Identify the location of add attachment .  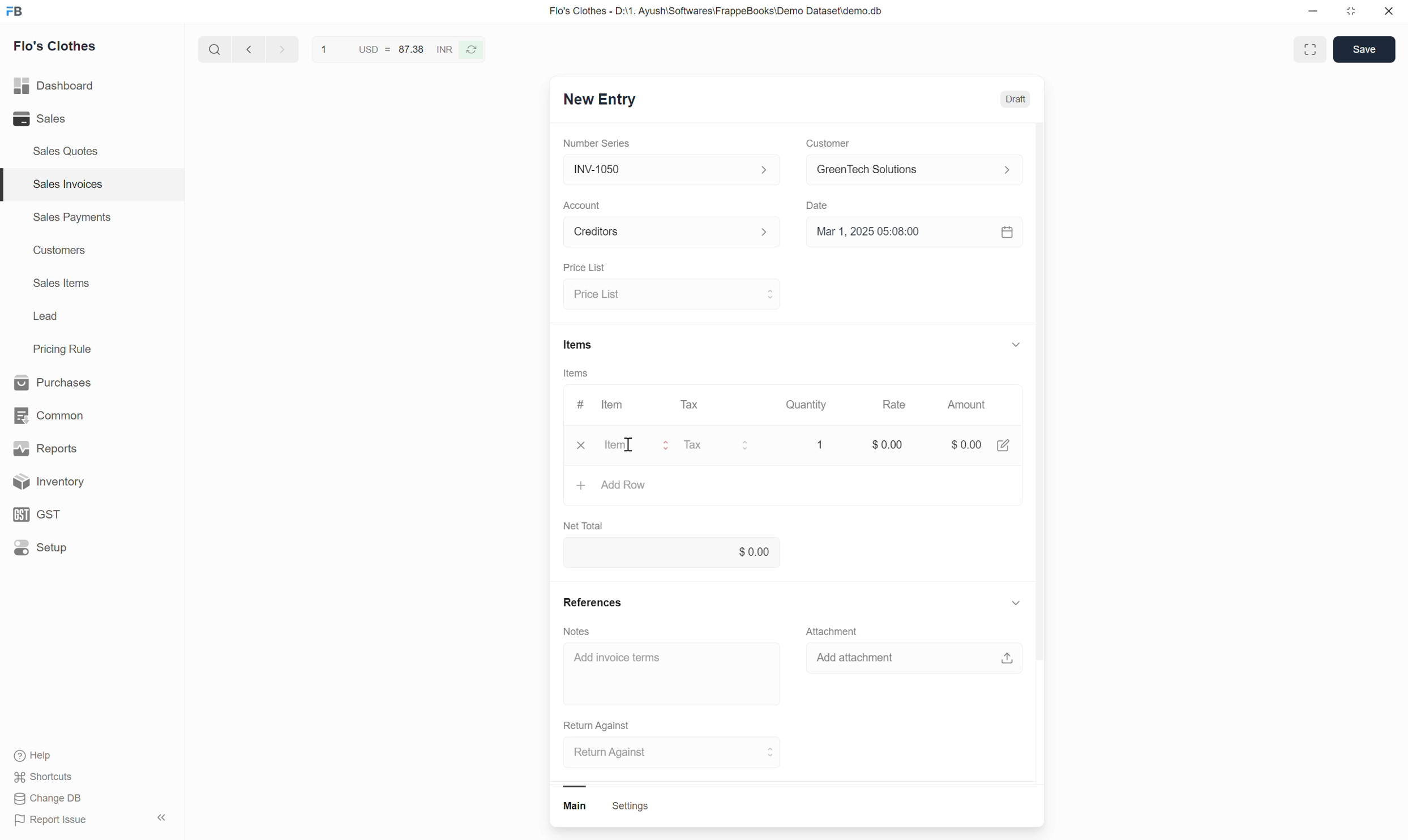
(919, 660).